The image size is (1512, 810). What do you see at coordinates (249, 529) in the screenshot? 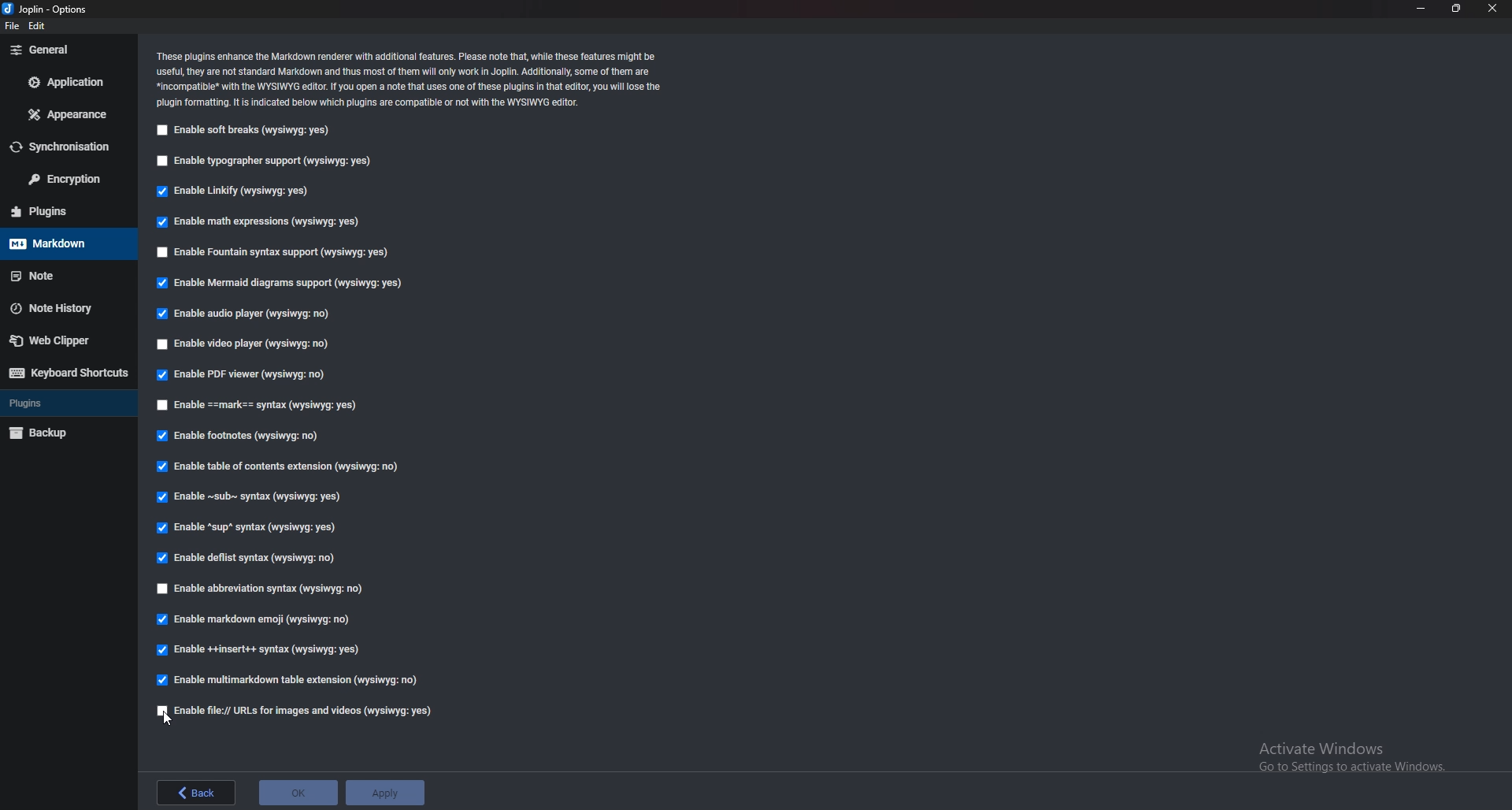
I see `Enable sup syntax` at bounding box center [249, 529].